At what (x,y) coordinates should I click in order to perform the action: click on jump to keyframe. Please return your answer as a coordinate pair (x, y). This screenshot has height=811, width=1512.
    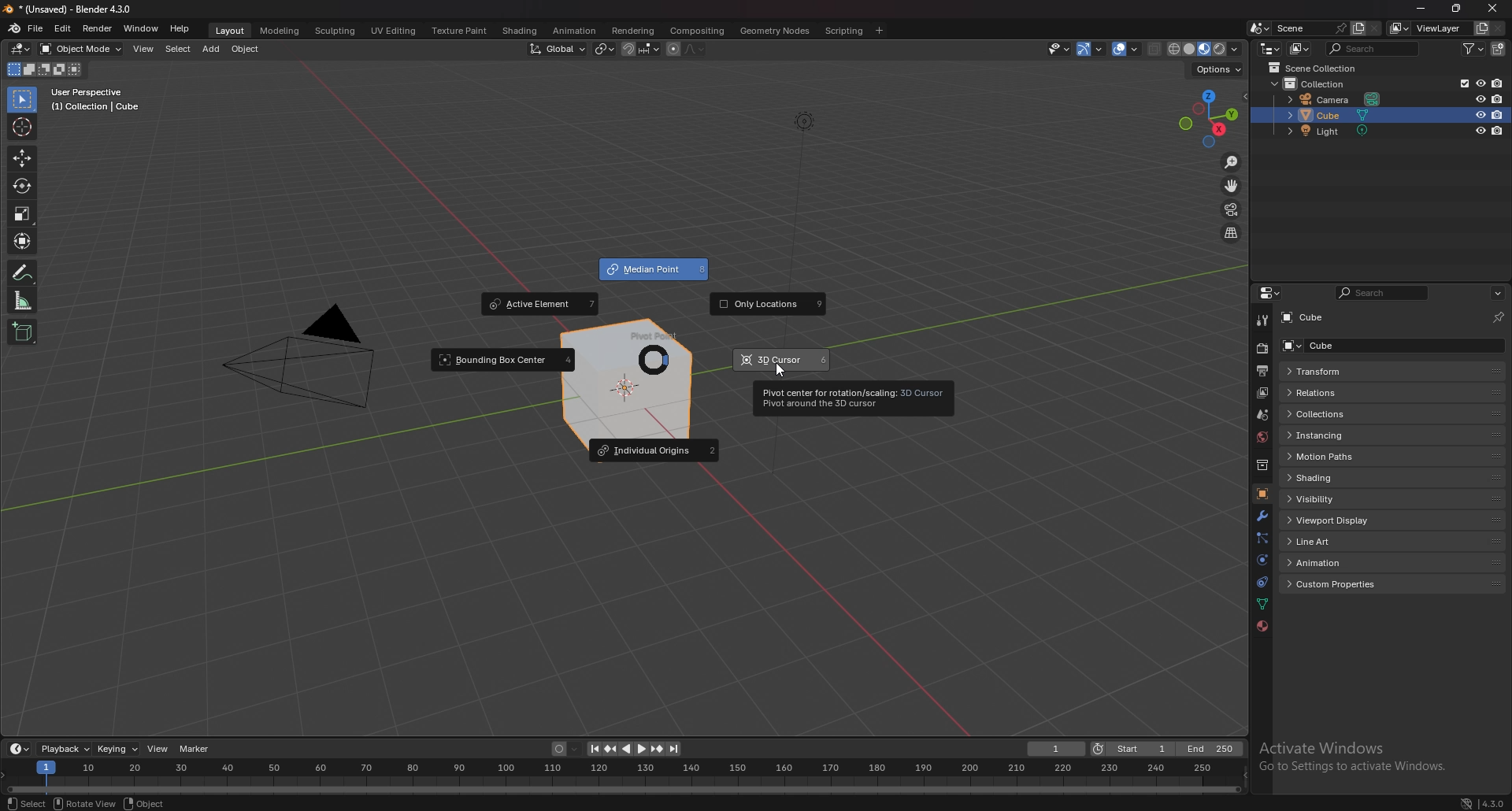
    Looking at the image, I should click on (656, 748).